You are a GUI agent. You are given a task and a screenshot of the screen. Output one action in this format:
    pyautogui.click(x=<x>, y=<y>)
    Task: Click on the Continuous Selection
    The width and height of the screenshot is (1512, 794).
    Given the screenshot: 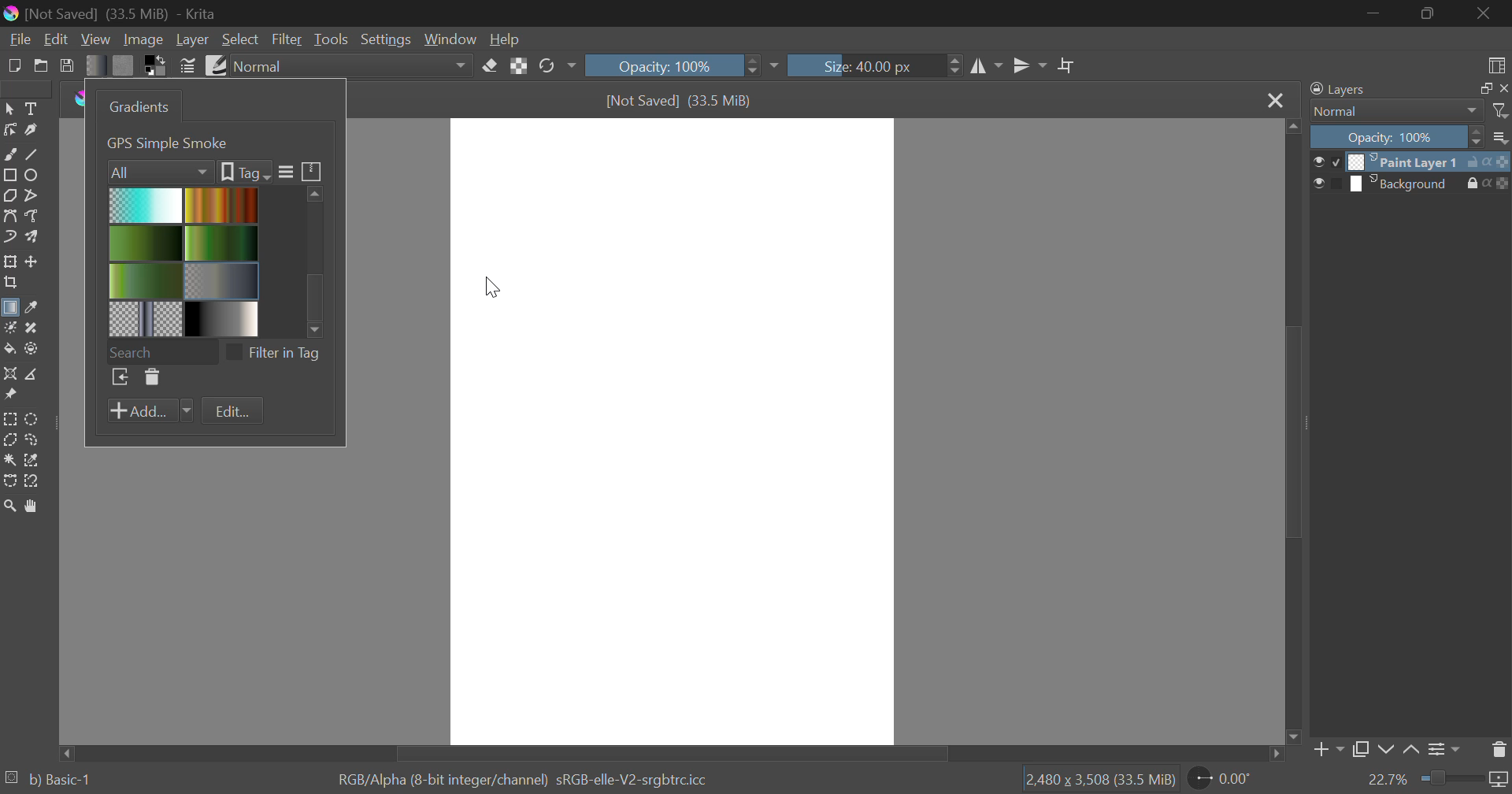 What is the action you would take?
    pyautogui.click(x=9, y=459)
    